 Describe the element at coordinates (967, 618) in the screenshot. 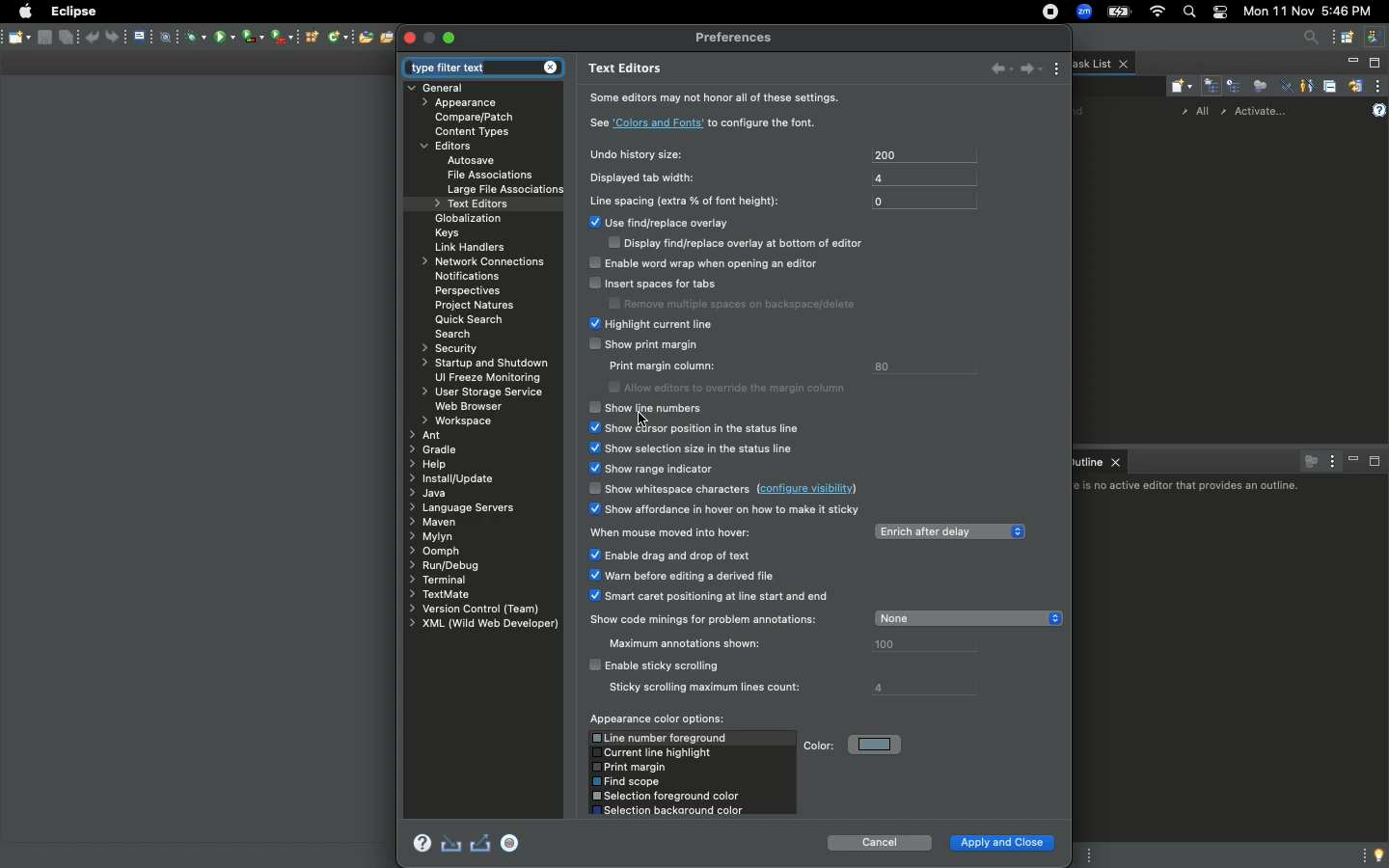

I see `None` at that location.